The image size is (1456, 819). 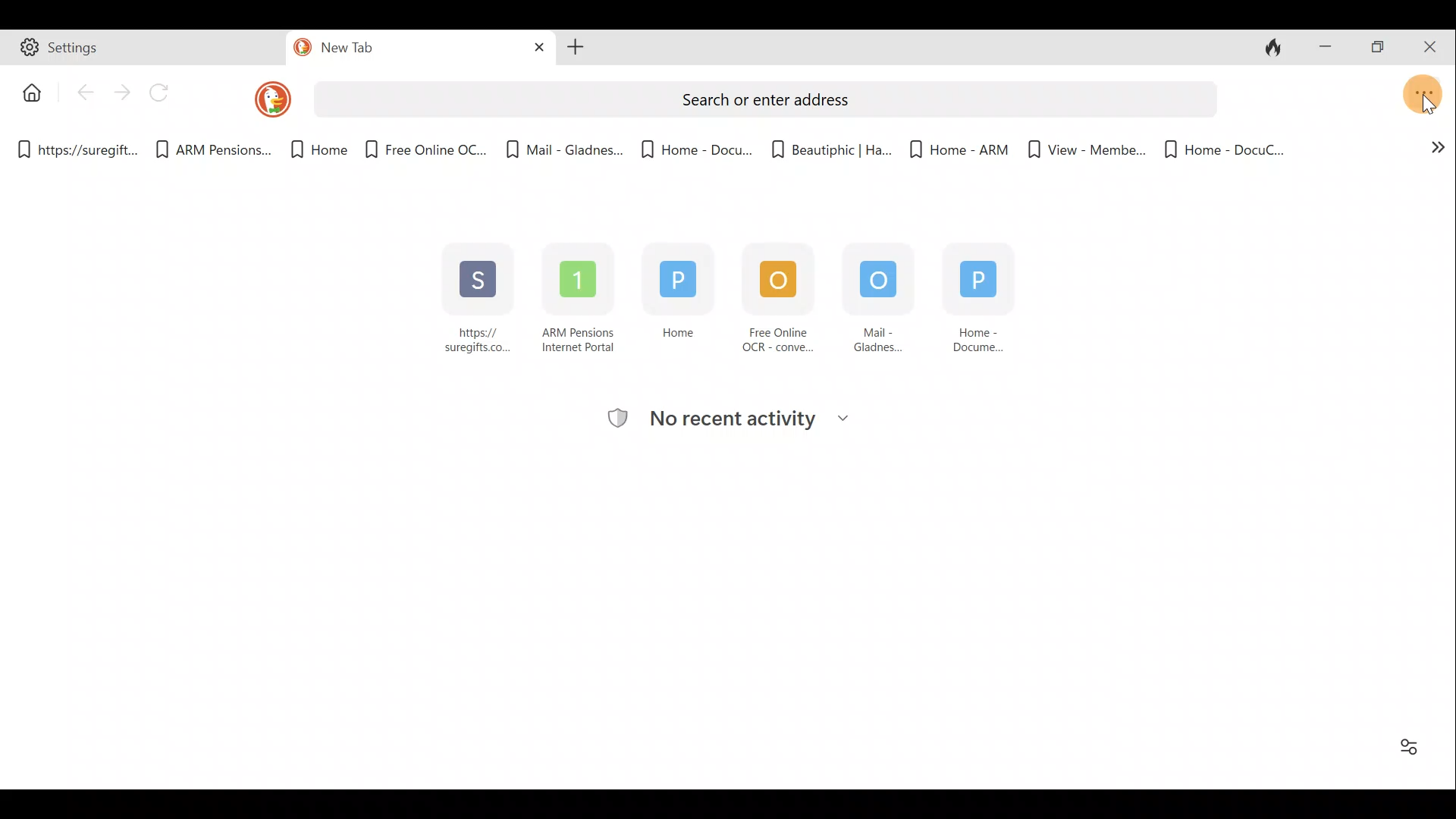 What do you see at coordinates (959, 147) in the screenshot?
I see `Bookmark 8` at bounding box center [959, 147].